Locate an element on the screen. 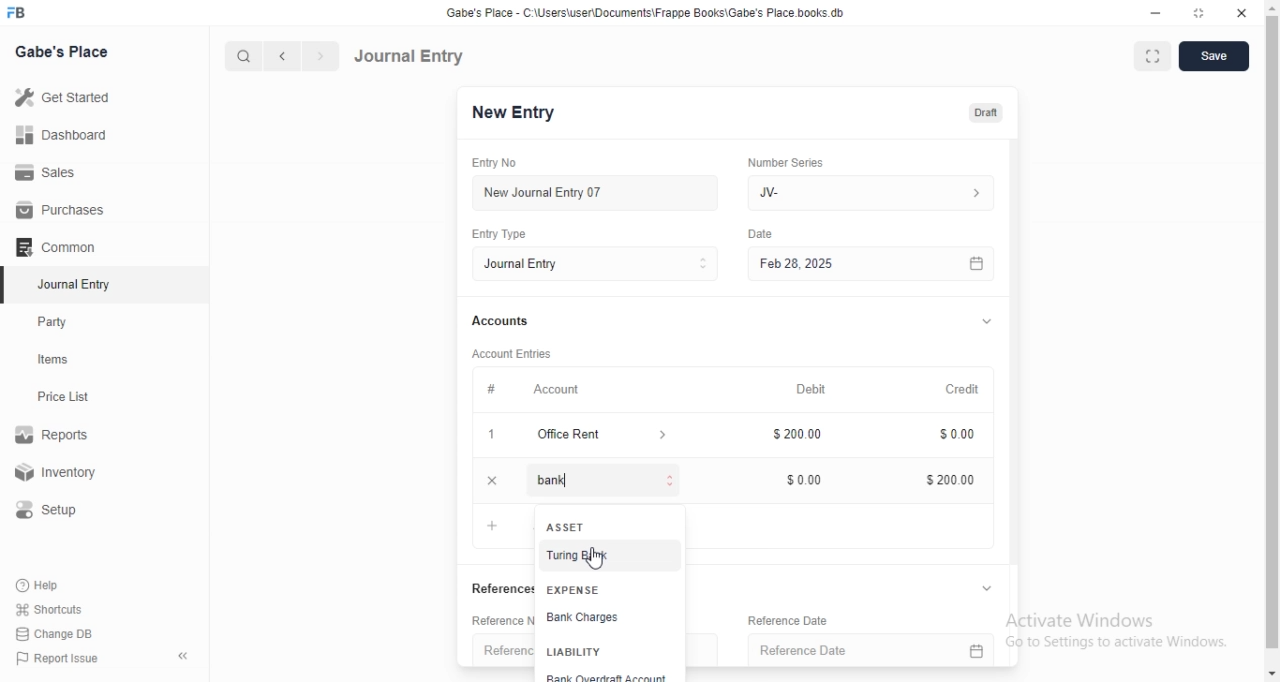 This screenshot has width=1280, height=682. Reference Number is located at coordinates (505, 622).